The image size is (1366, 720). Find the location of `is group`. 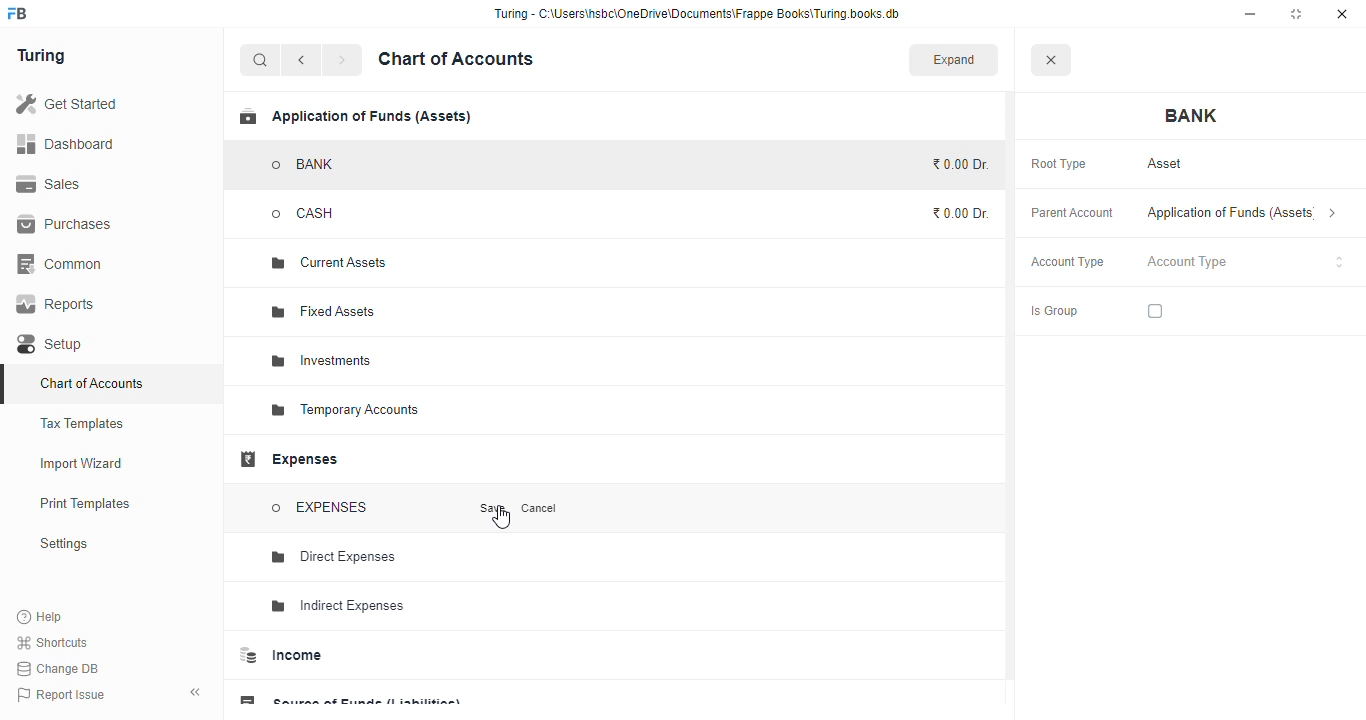

is group is located at coordinates (1054, 312).